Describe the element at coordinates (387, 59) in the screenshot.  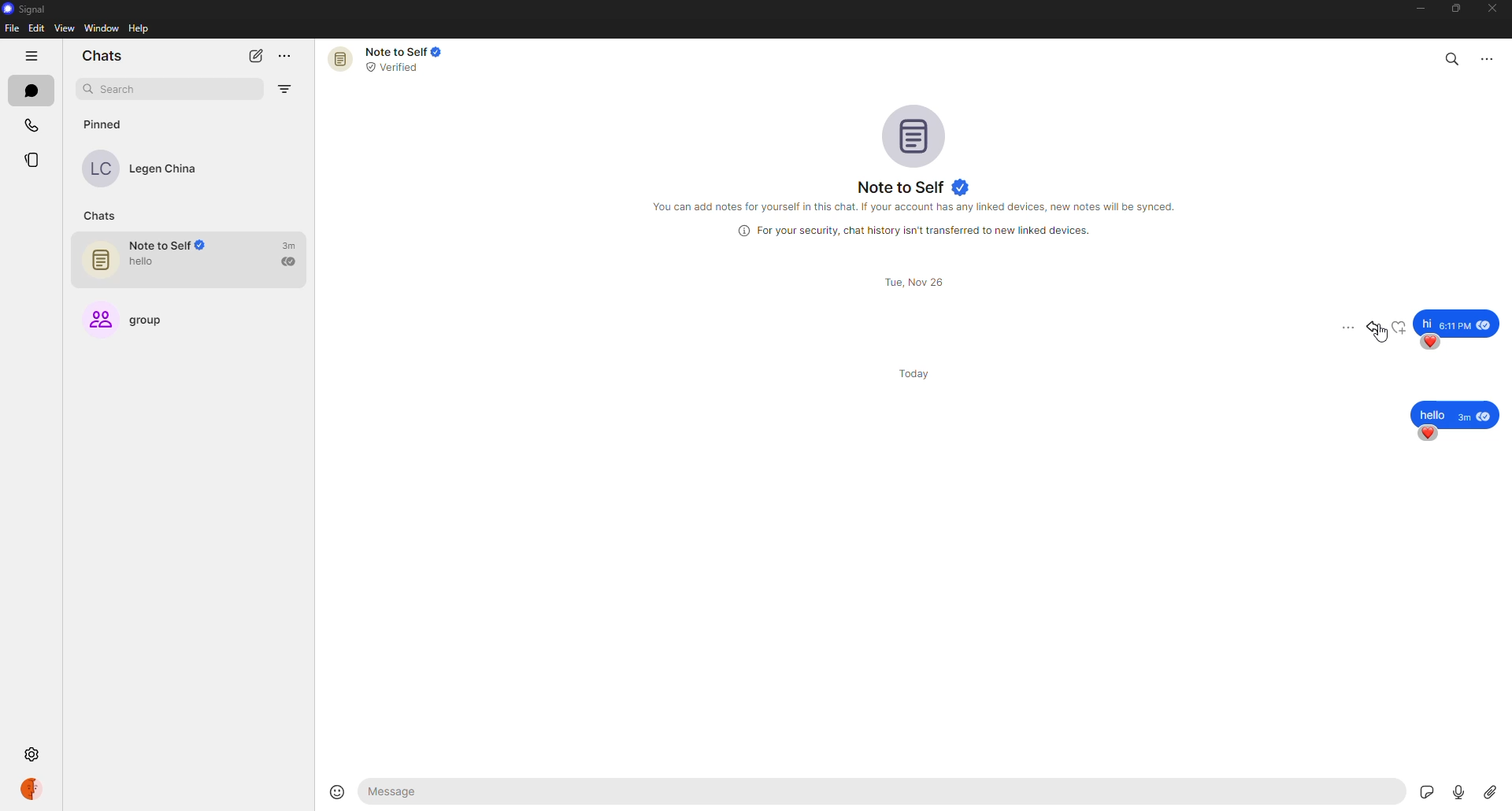
I see `note to self` at that location.